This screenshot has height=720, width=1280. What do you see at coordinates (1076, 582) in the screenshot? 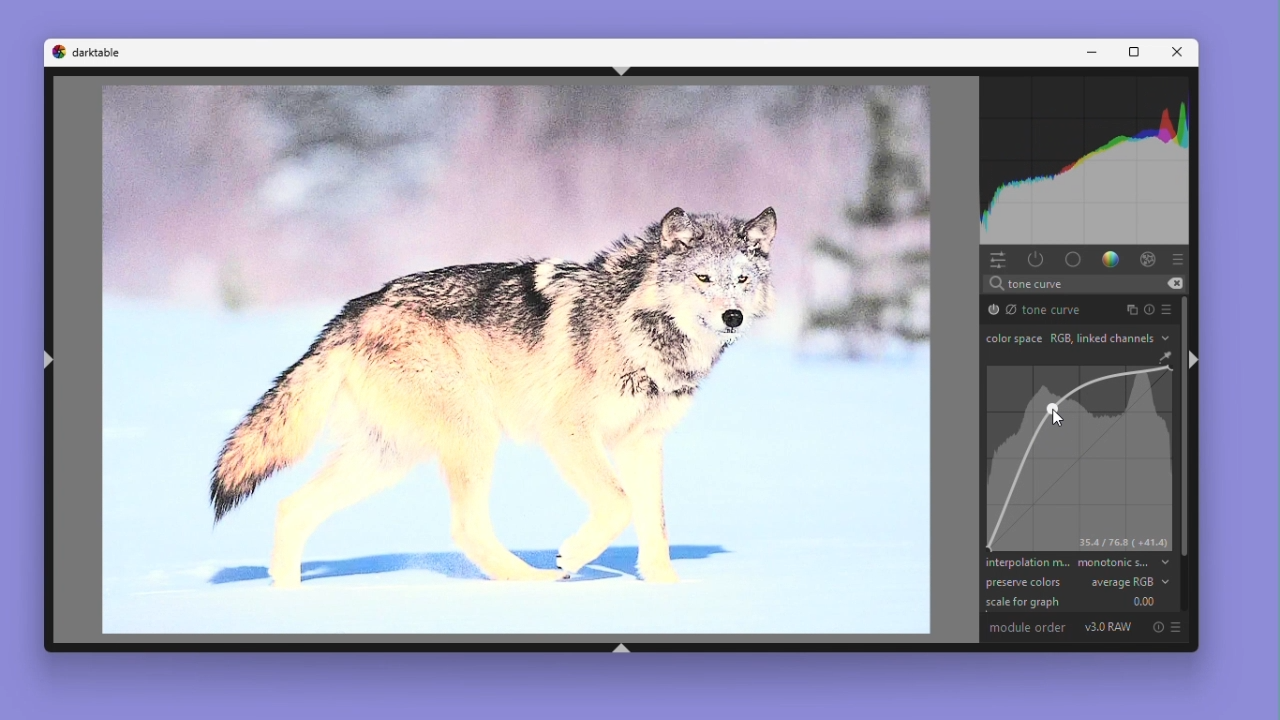
I see `preserve colours average RGB` at bounding box center [1076, 582].